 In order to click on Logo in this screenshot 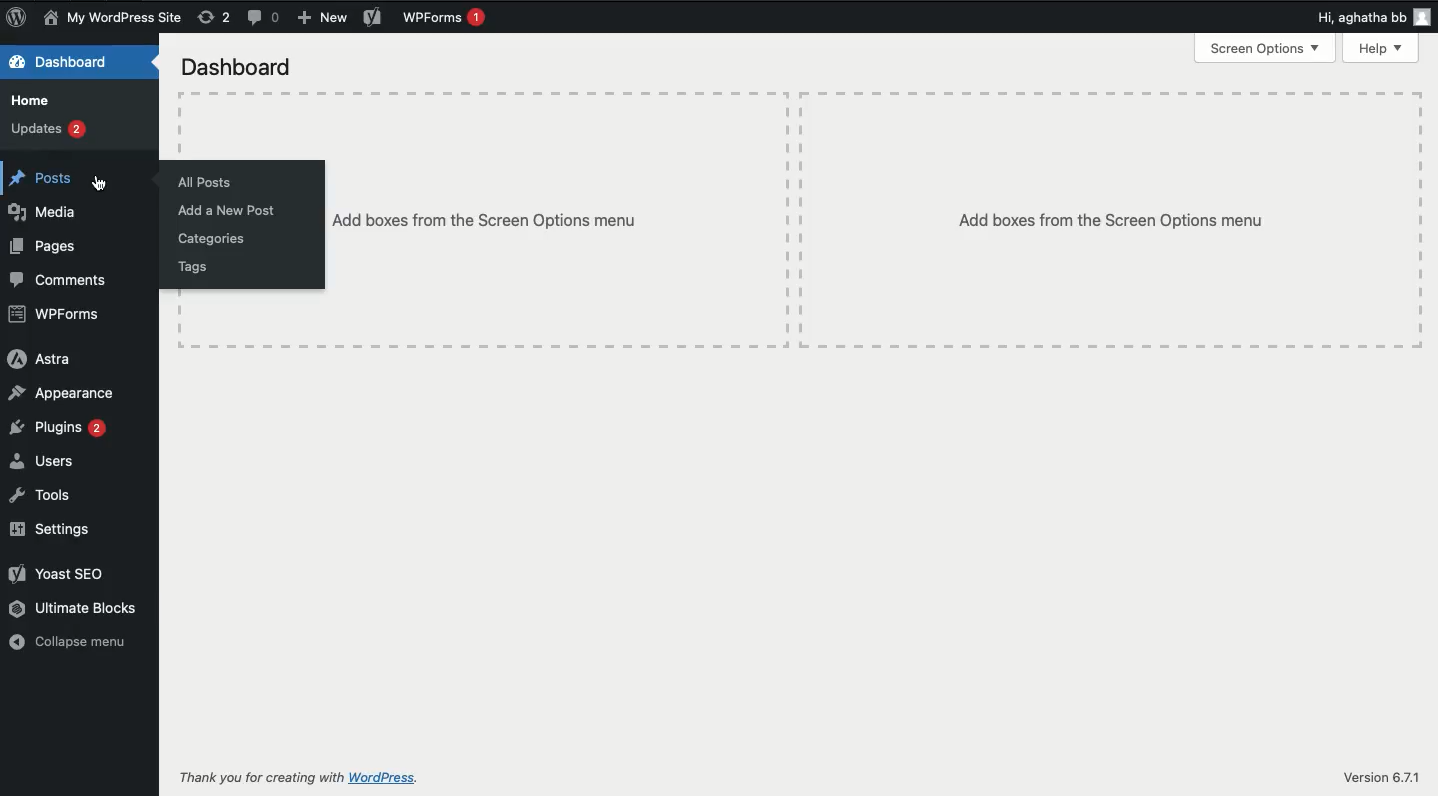, I will do `click(19, 17)`.